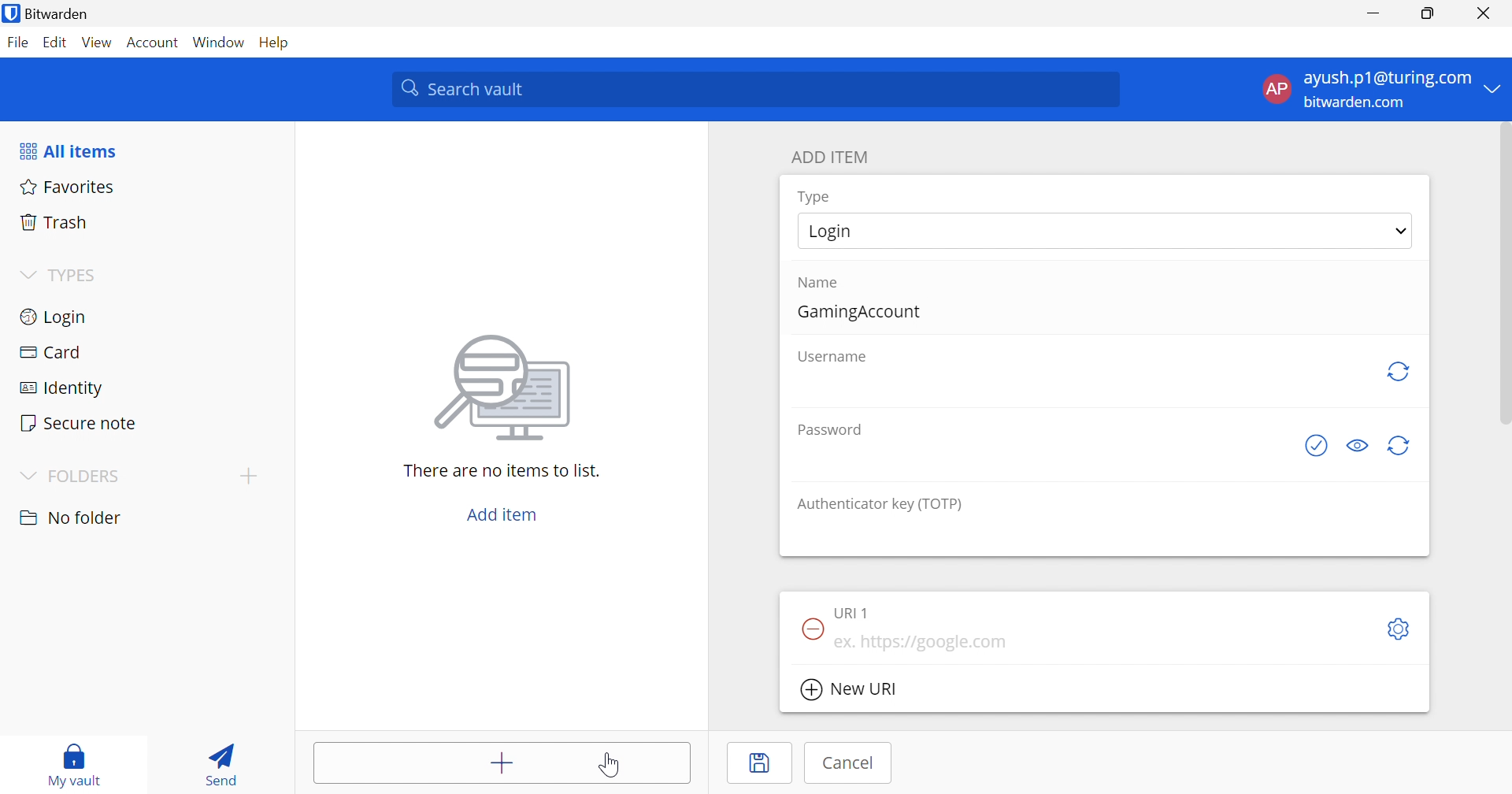  What do you see at coordinates (253, 475) in the screenshot?
I see `Add folder` at bounding box center [253, 475].